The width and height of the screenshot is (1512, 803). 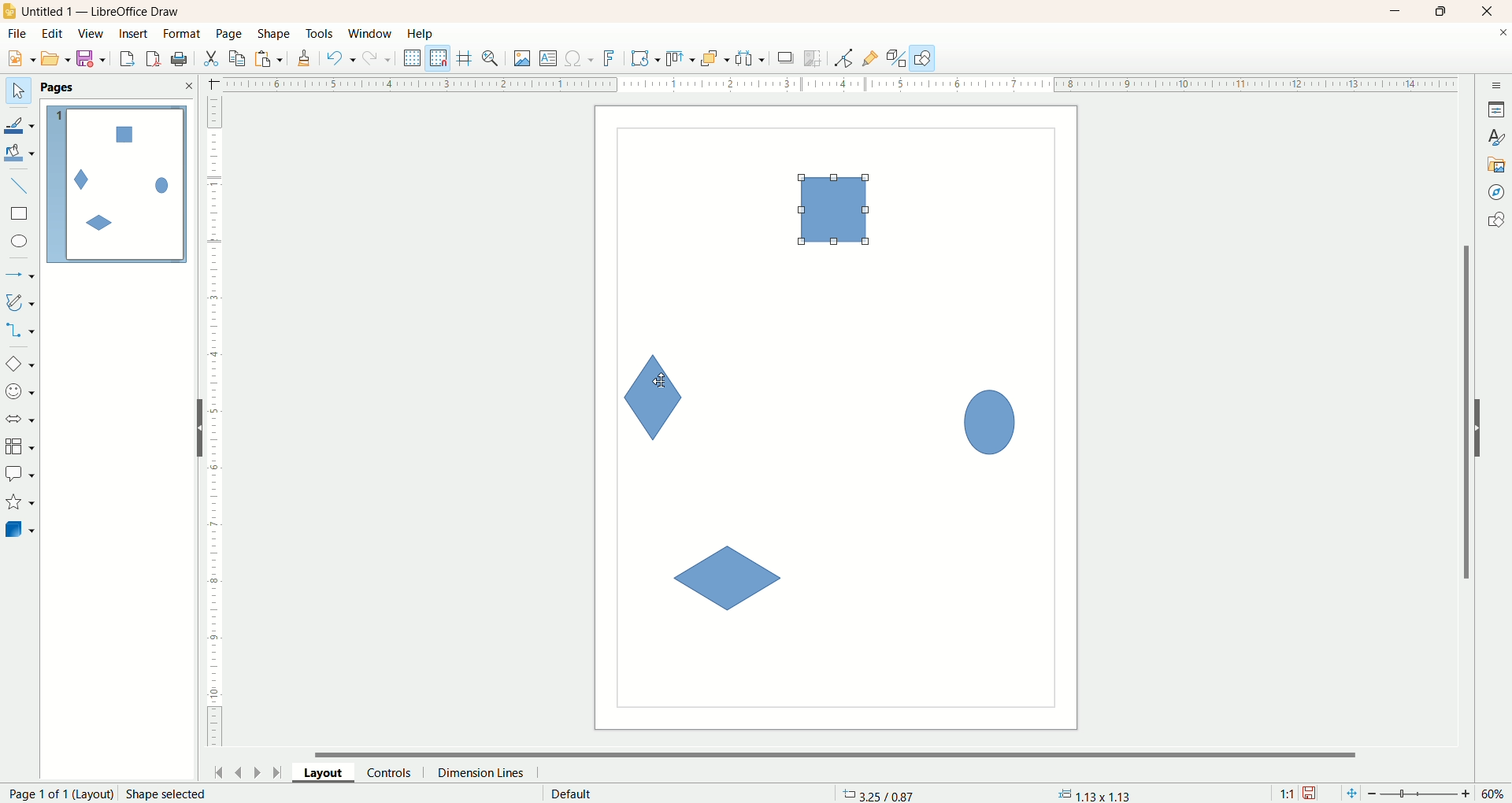 I want to click on print, so click(x=155, y=58).